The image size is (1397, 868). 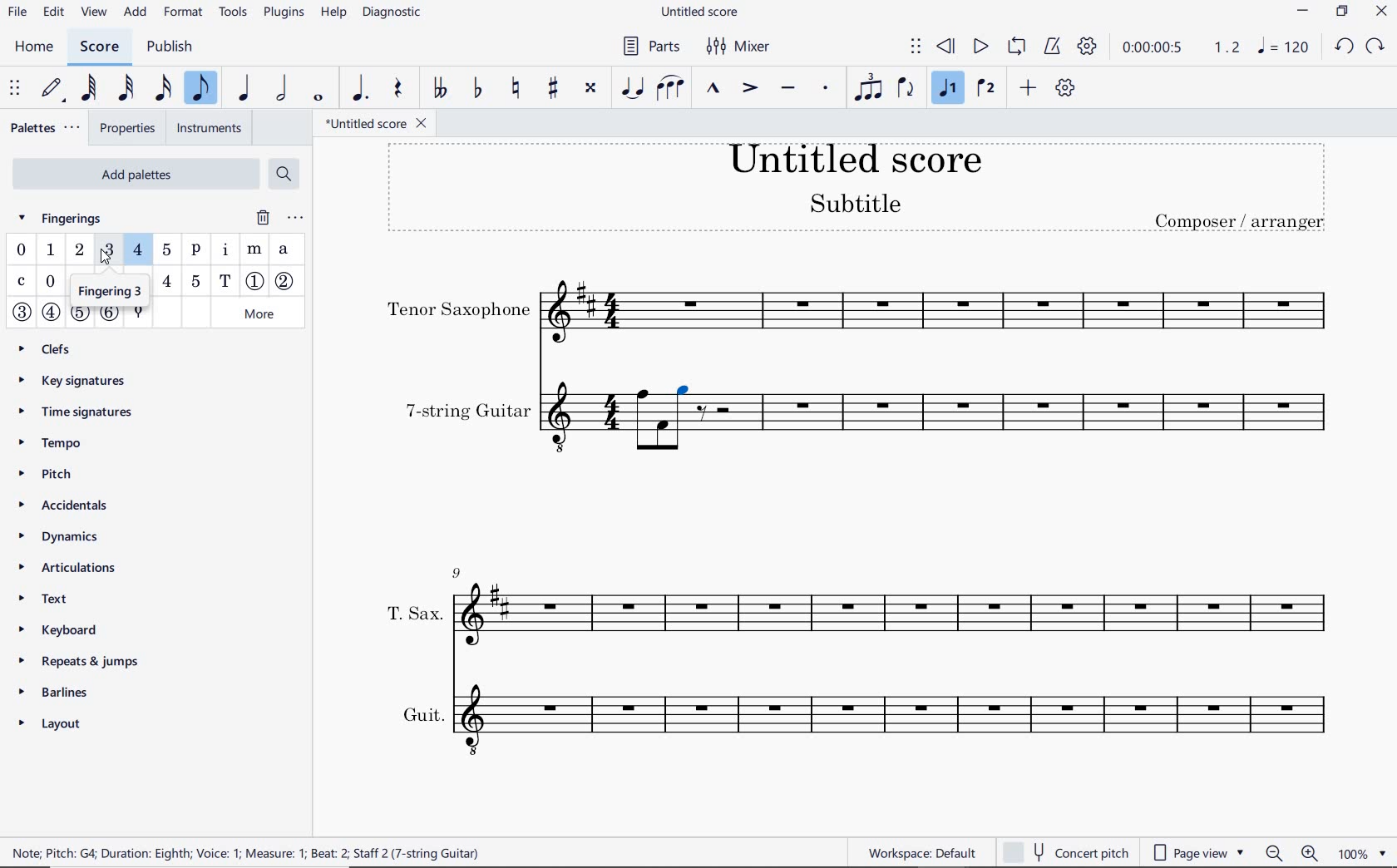 What do you see at coordinates (51, 283) in the screenshot?
I see `Lh guitar fingering 0` at bounding box center [51, 283].